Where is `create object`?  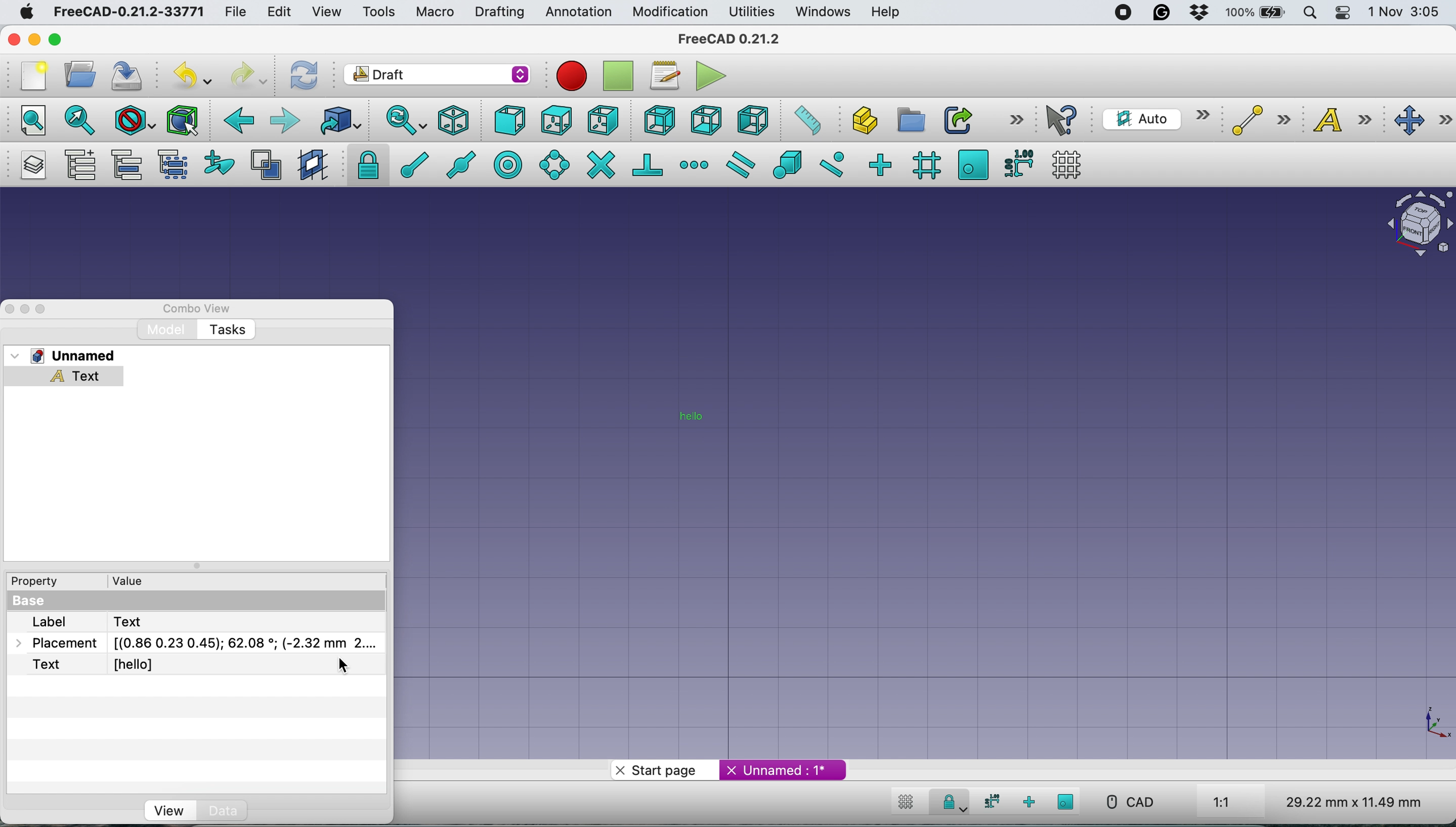 create object is located at coordinates (856, 120).